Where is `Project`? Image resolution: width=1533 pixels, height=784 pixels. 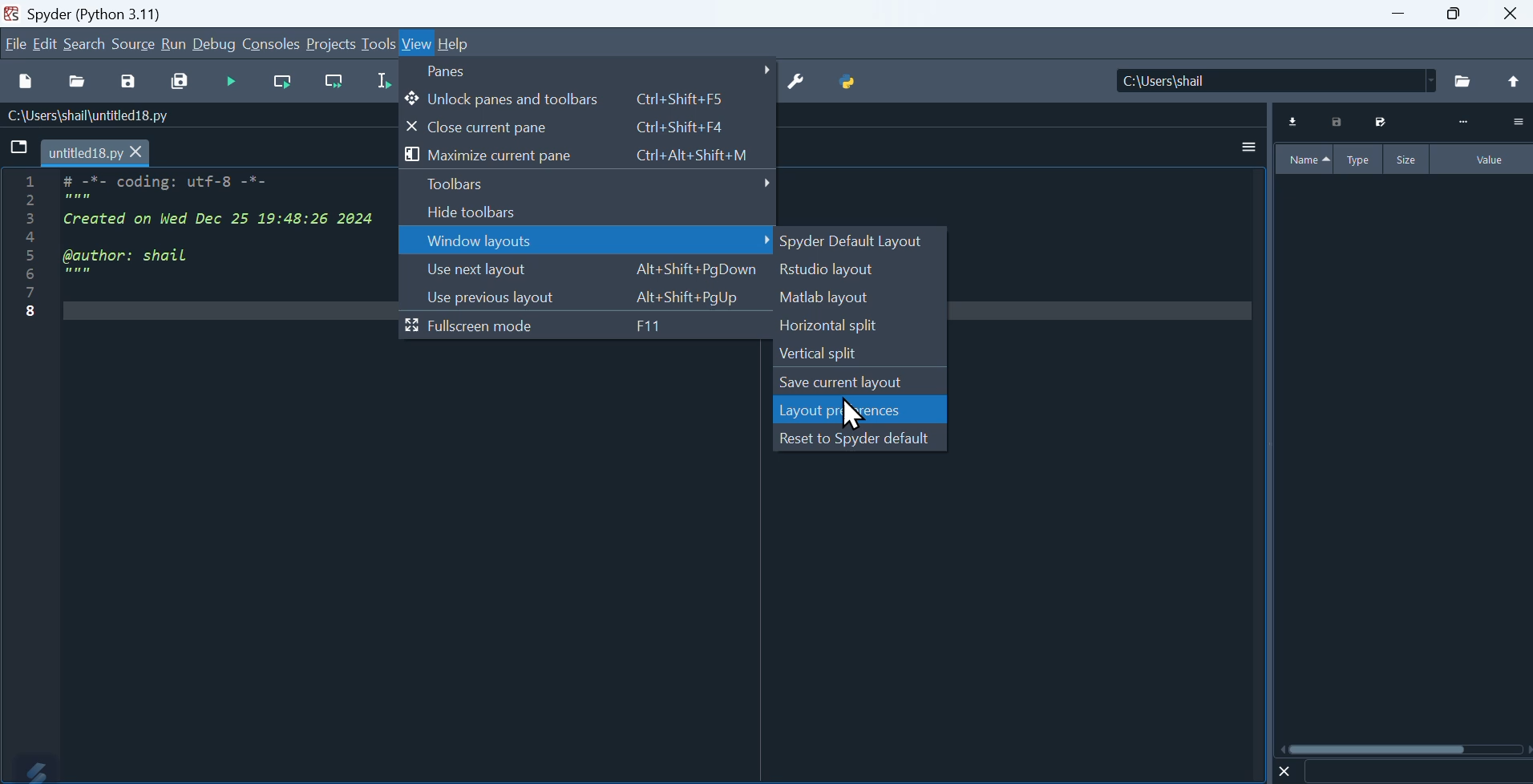 Project is located at coordinates (330, 43).